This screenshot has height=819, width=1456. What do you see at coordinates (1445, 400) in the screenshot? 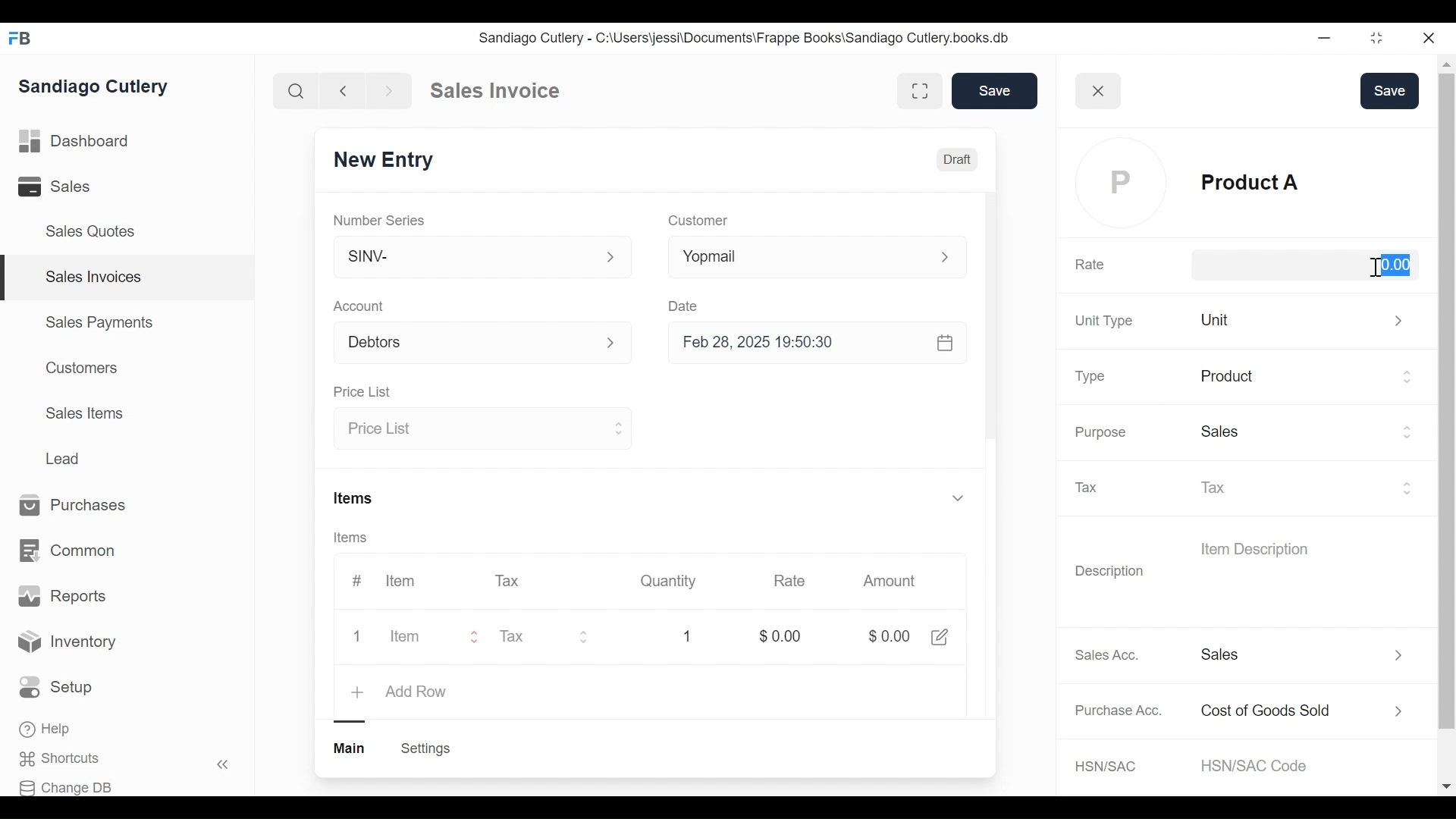
I see `scrollbar` at bounding box center [1445, 400].